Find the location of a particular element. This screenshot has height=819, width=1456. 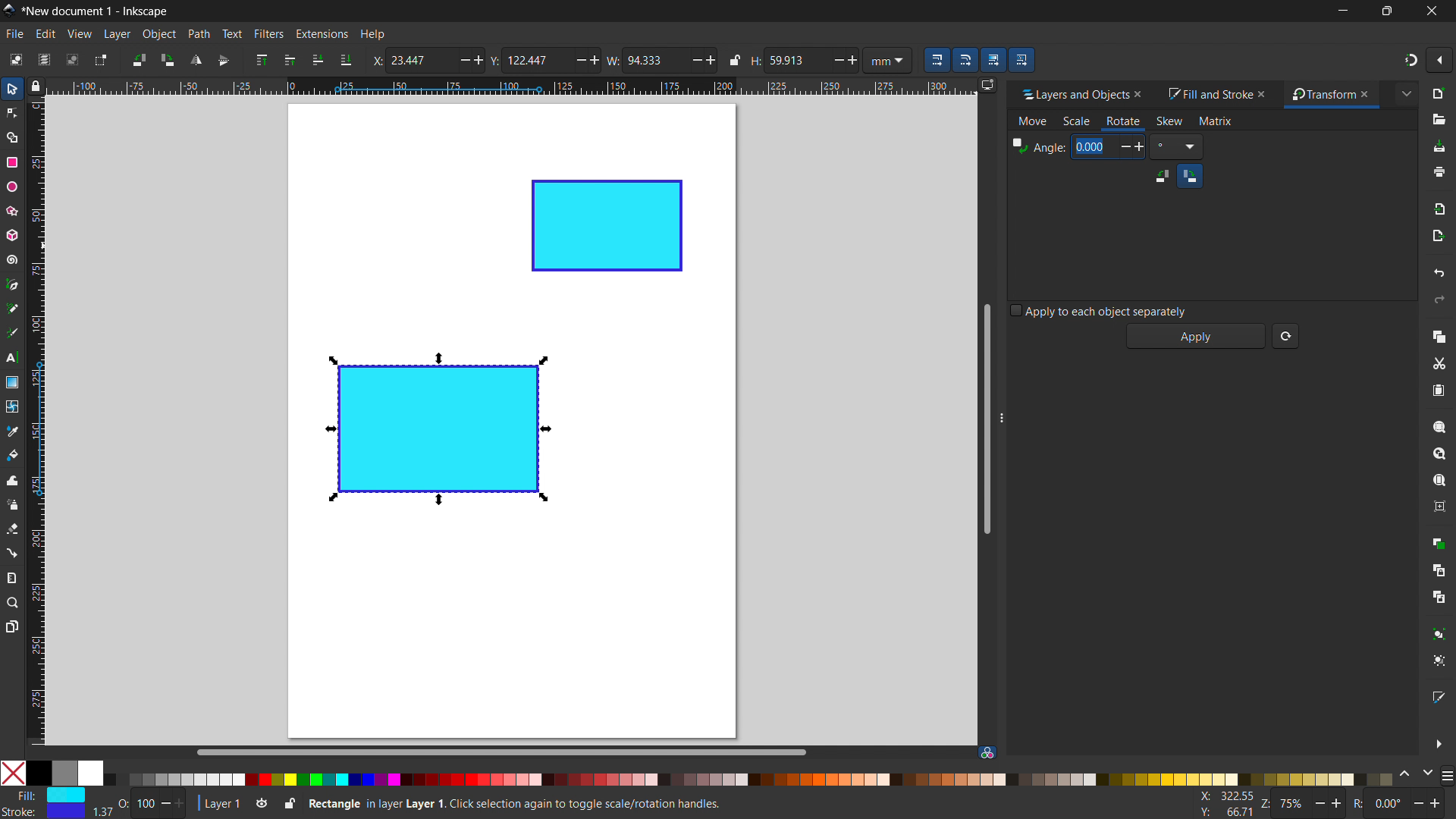

zoom selection is located at coordinates (1439, 427).